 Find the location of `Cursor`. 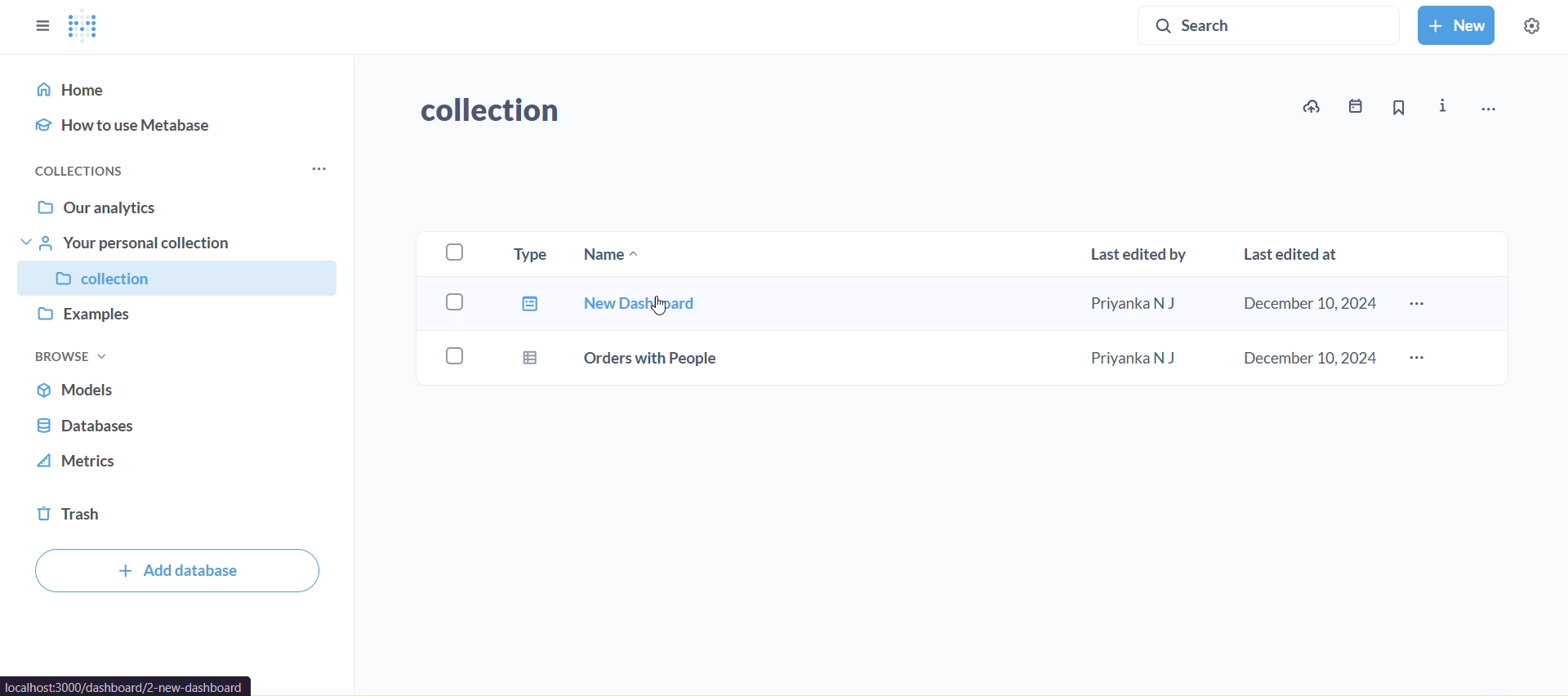

Cursor is located at coordinates (659, 306).